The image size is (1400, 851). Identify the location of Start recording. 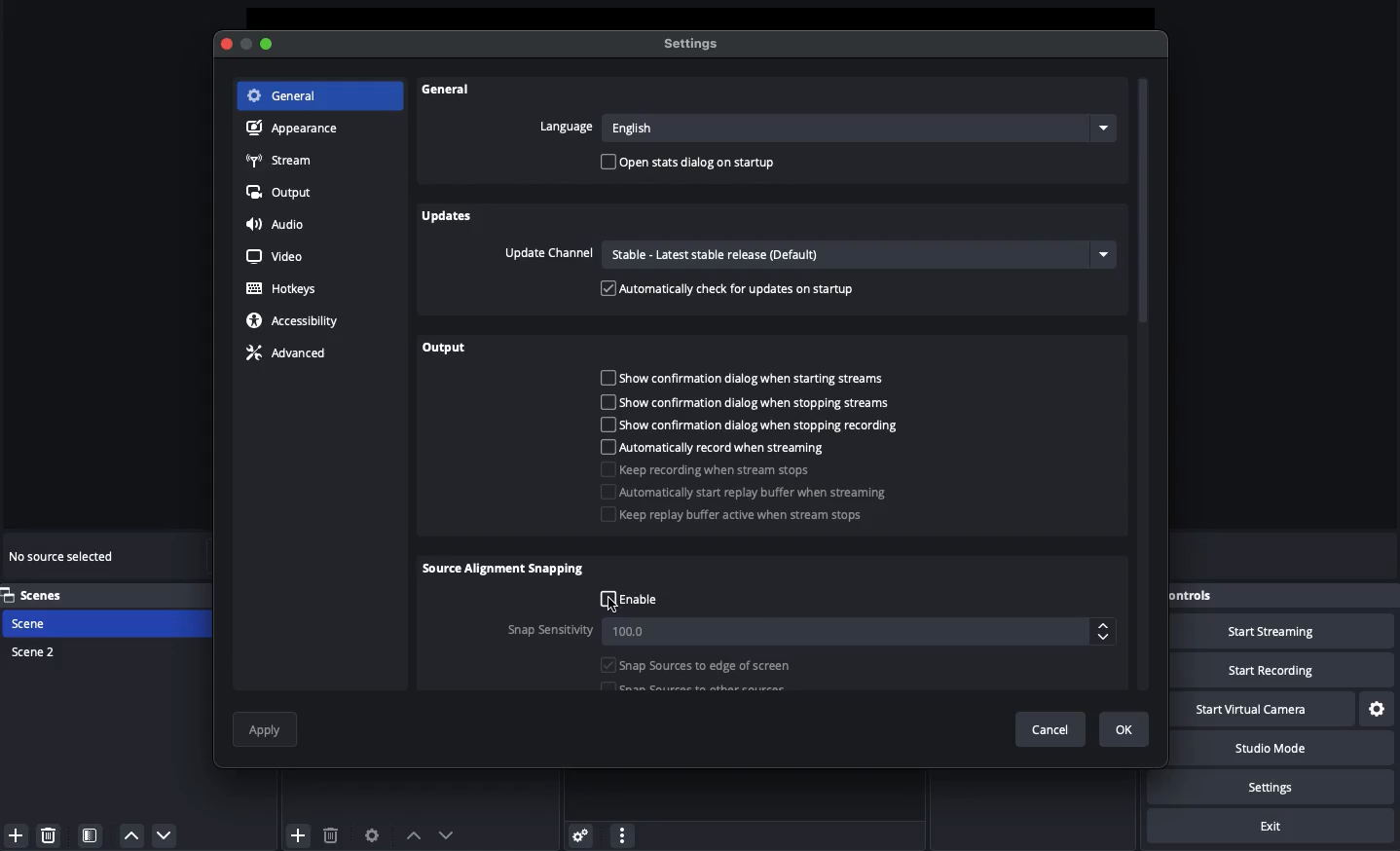
(1295, 671).